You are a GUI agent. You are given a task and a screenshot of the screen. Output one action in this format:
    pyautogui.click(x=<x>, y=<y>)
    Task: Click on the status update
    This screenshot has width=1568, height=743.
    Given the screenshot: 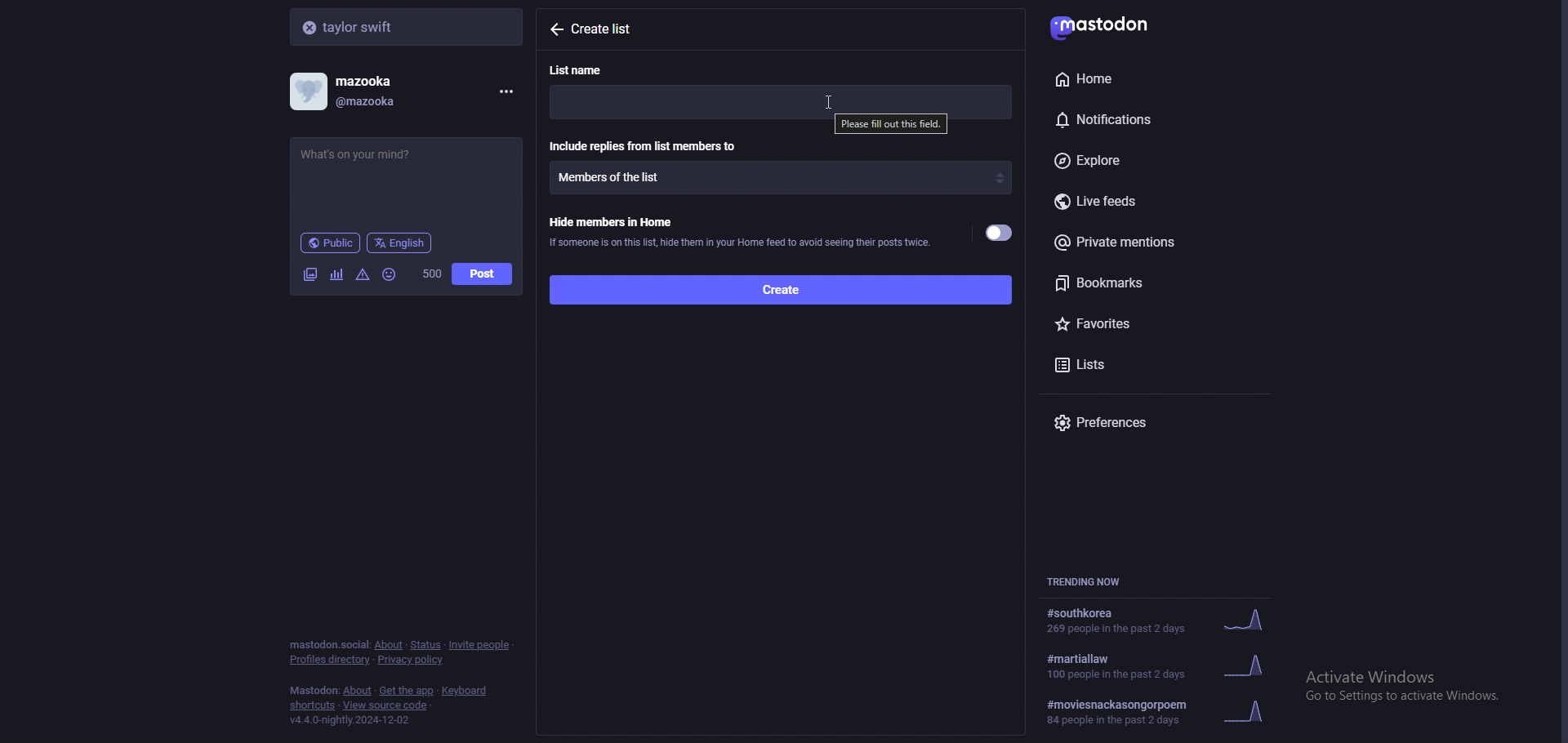 What is the action you would take?
    pyautogui.click(x=370, y=154)
    